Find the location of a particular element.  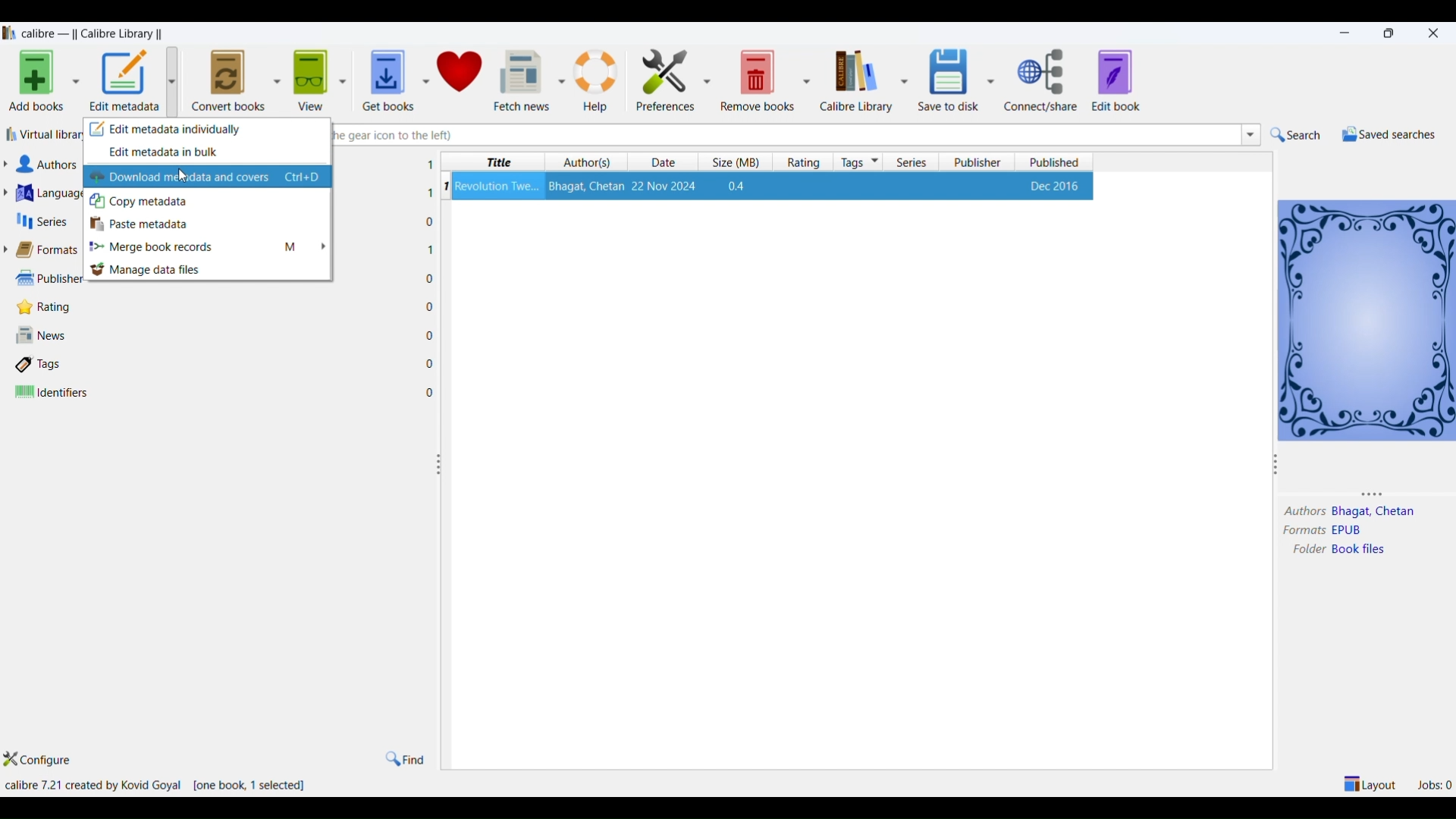

convert books options dropdown button is located at coordinates (275, 77).